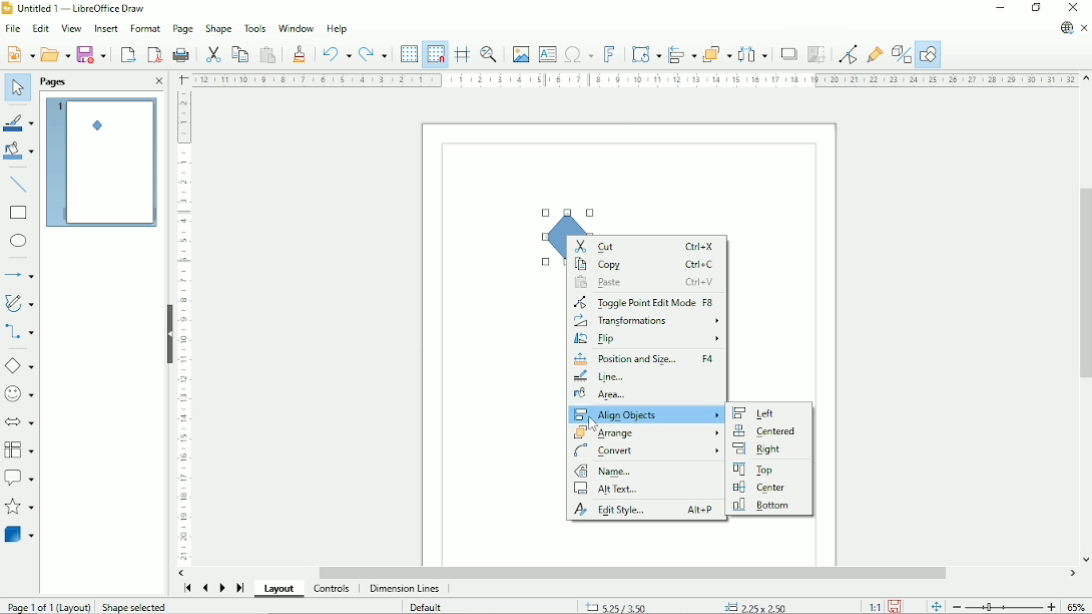  Describe the element at coordinates (648, 376) in the screenshot. I see `Line` at that location.